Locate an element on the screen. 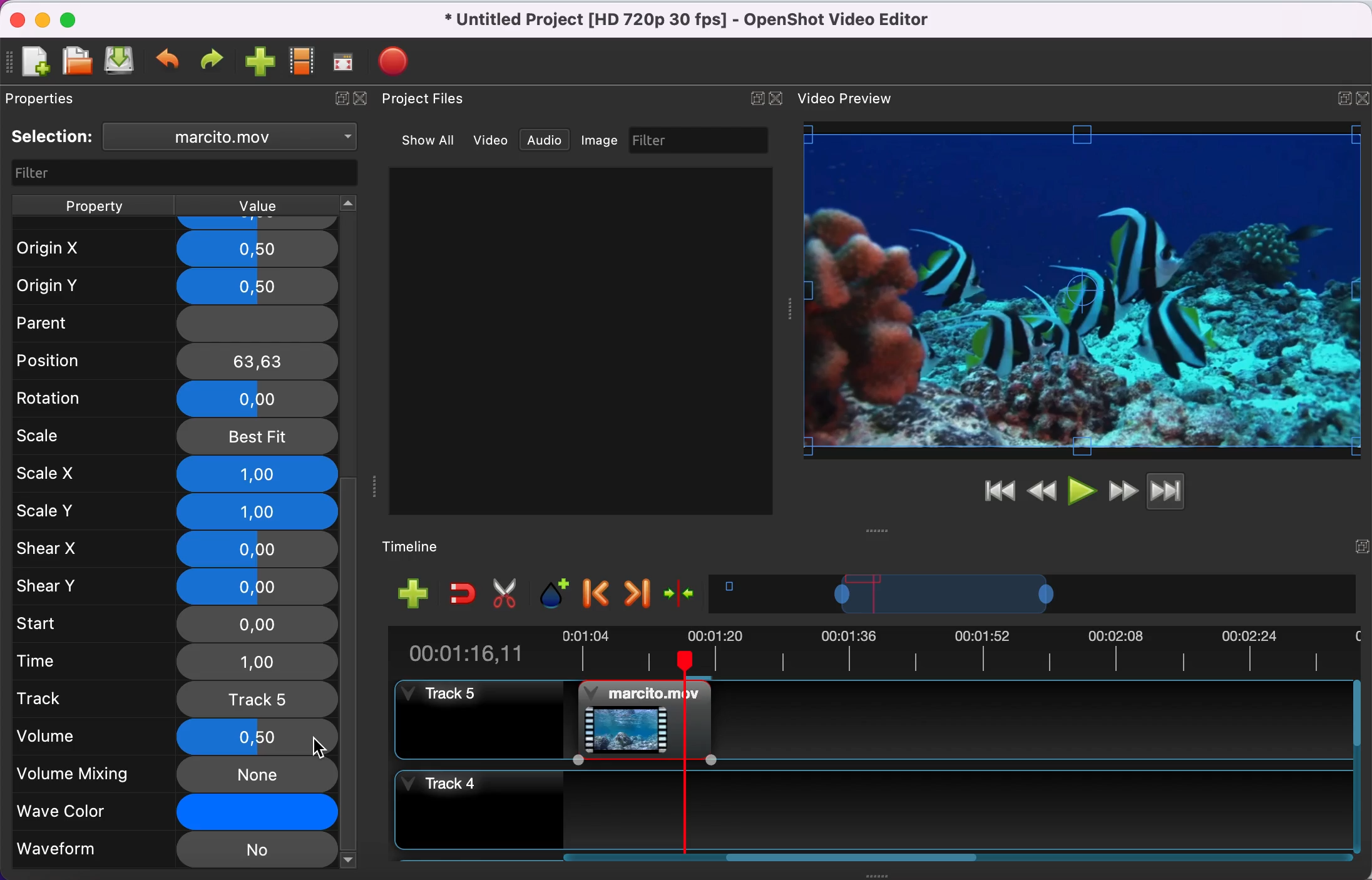  previous marker is located at coordinates (597, 595).